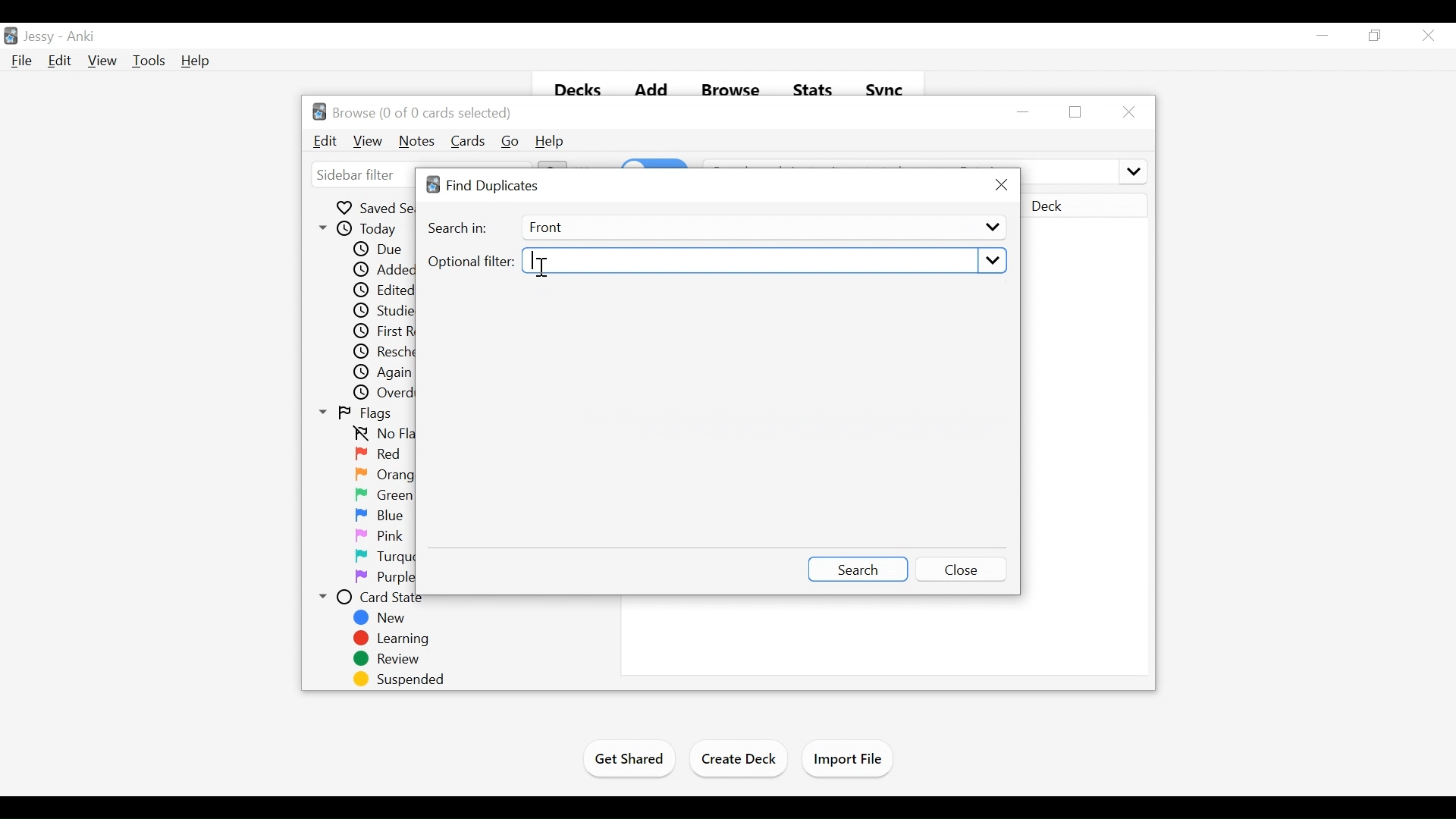 The image size is (1456, 819). Describe the element at coordinates (1323, 35) in the screenshot. I see `minimize` at that location.